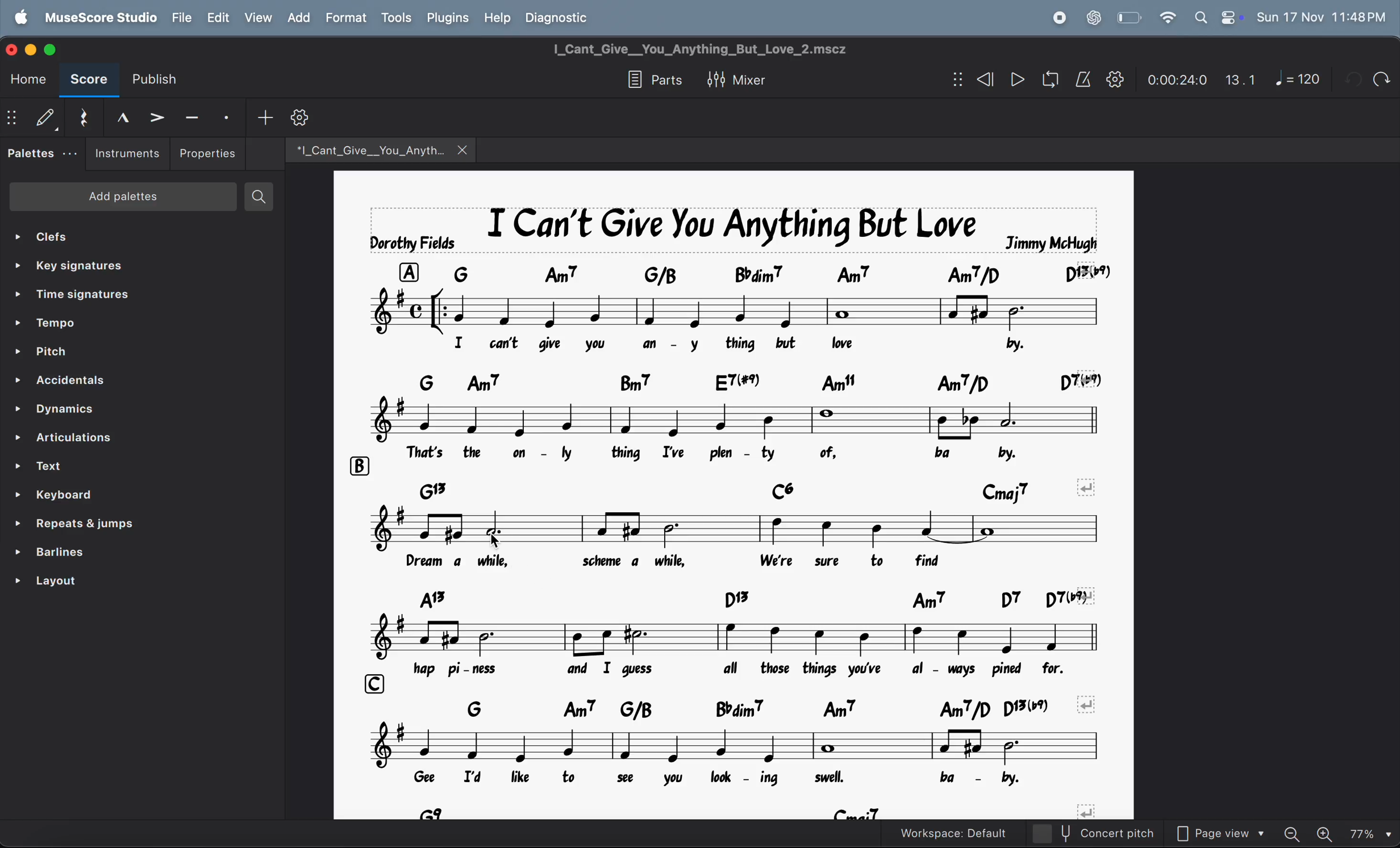 The width and height of the screenshot is (1400, 848). Describe the element at coordinates (34, 119) in the screenshot. I see `default` at that location.